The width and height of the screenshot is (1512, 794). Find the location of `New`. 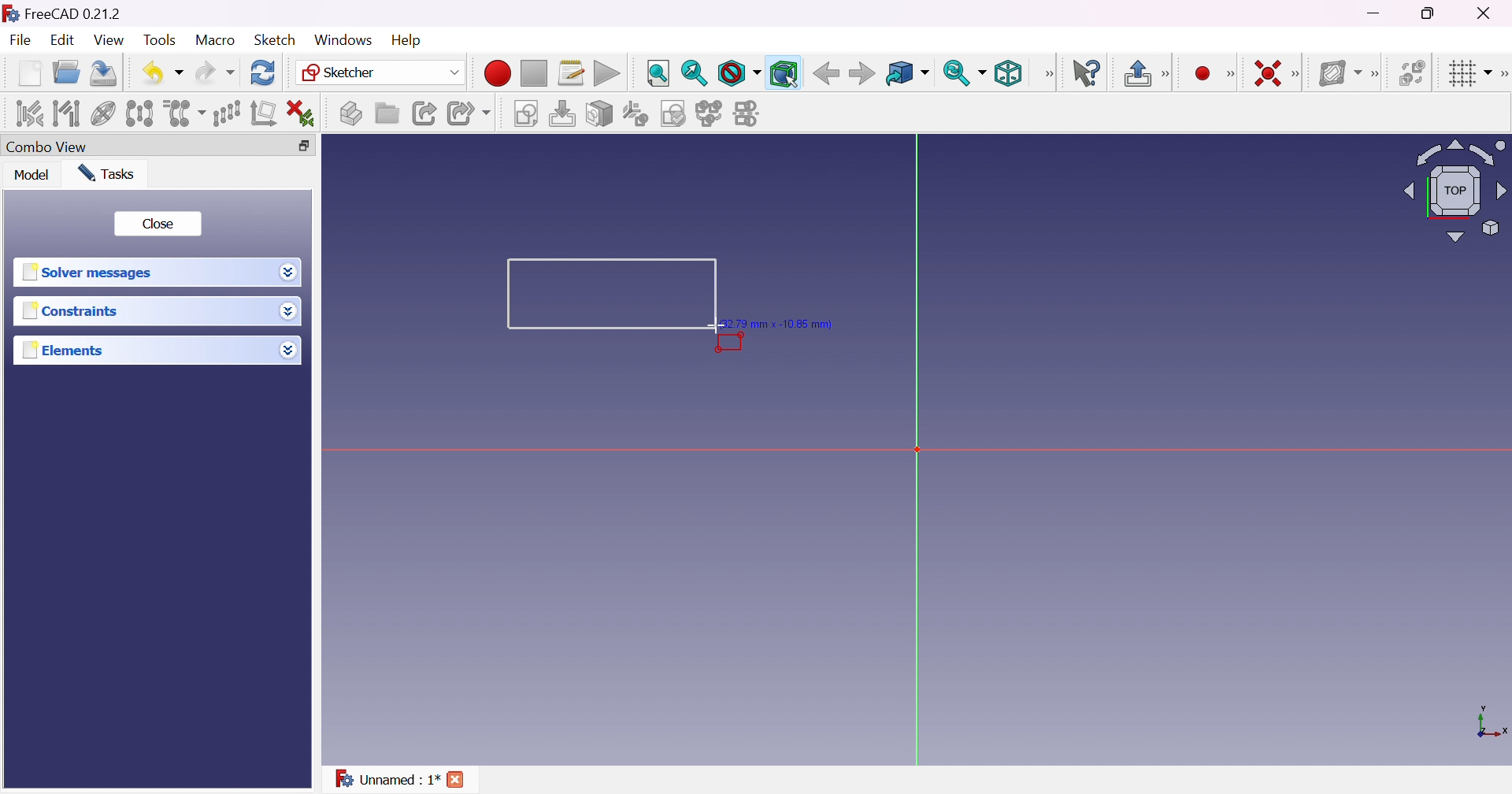

New is located at coordinates (29, 73).